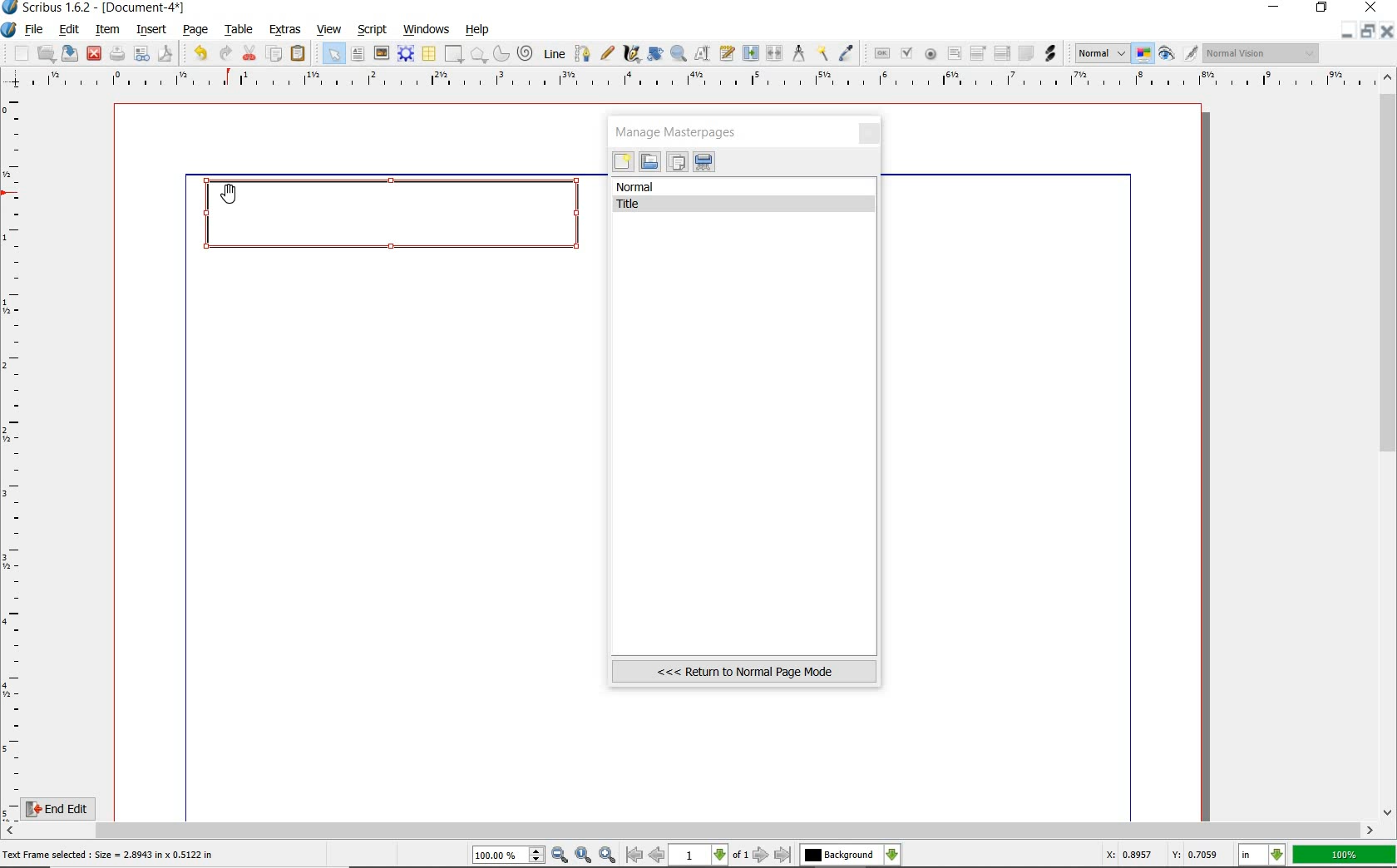  What do you see at coordinates (151, 29) in the screenshot?
I see `insert` at bounding box center [151, 29].